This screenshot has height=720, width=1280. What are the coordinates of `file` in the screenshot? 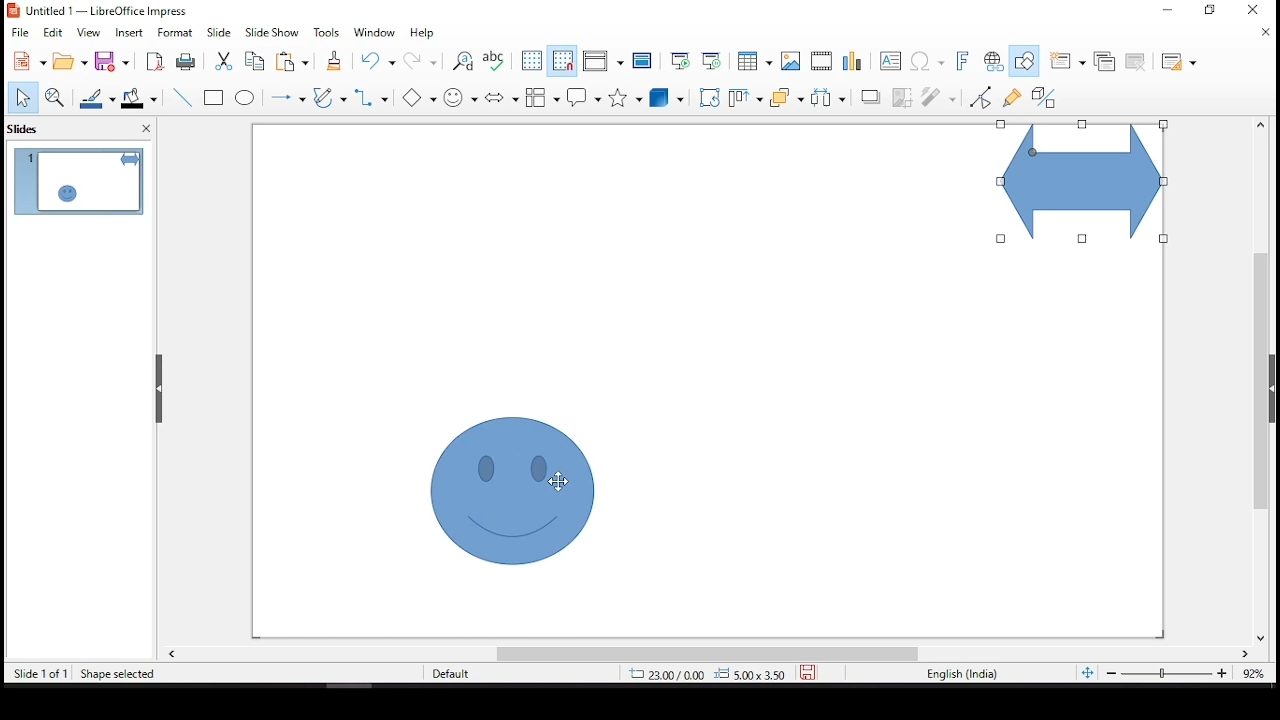 It's located at (20, 31).